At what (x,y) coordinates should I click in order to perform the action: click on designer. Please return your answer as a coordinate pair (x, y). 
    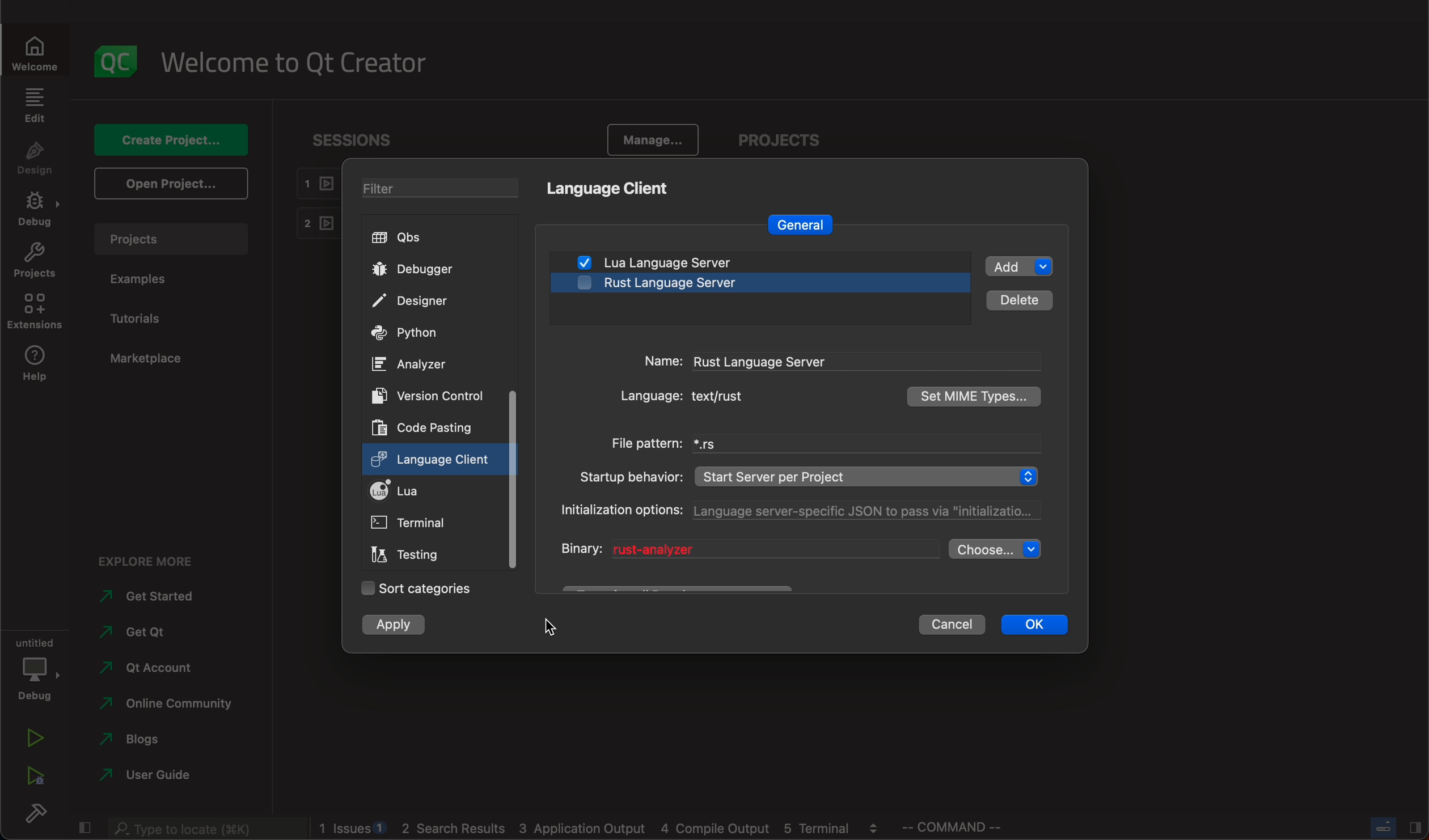
    Looking at the image, I should click on (416, 300).